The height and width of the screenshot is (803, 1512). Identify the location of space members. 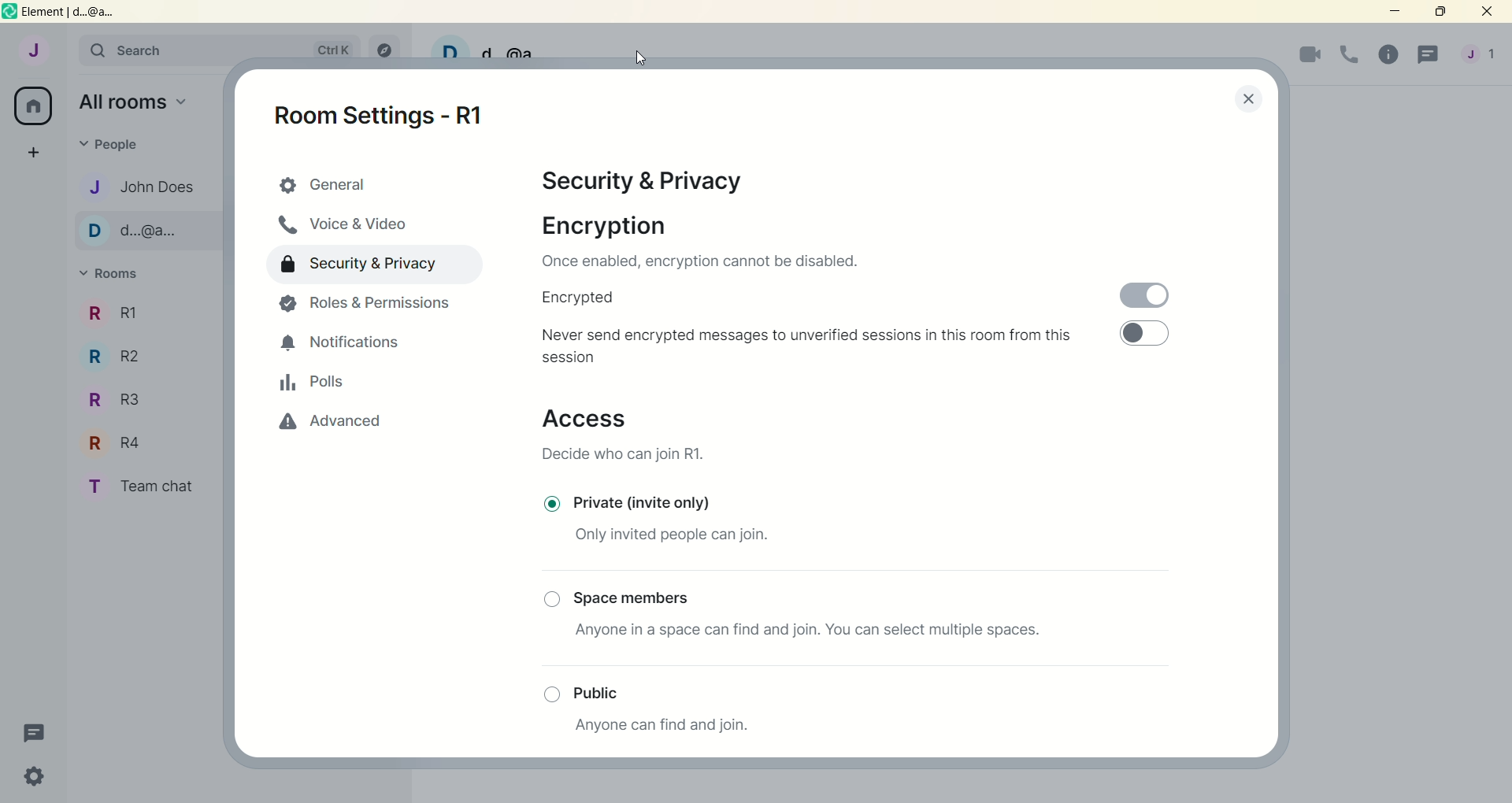
(636, 599).